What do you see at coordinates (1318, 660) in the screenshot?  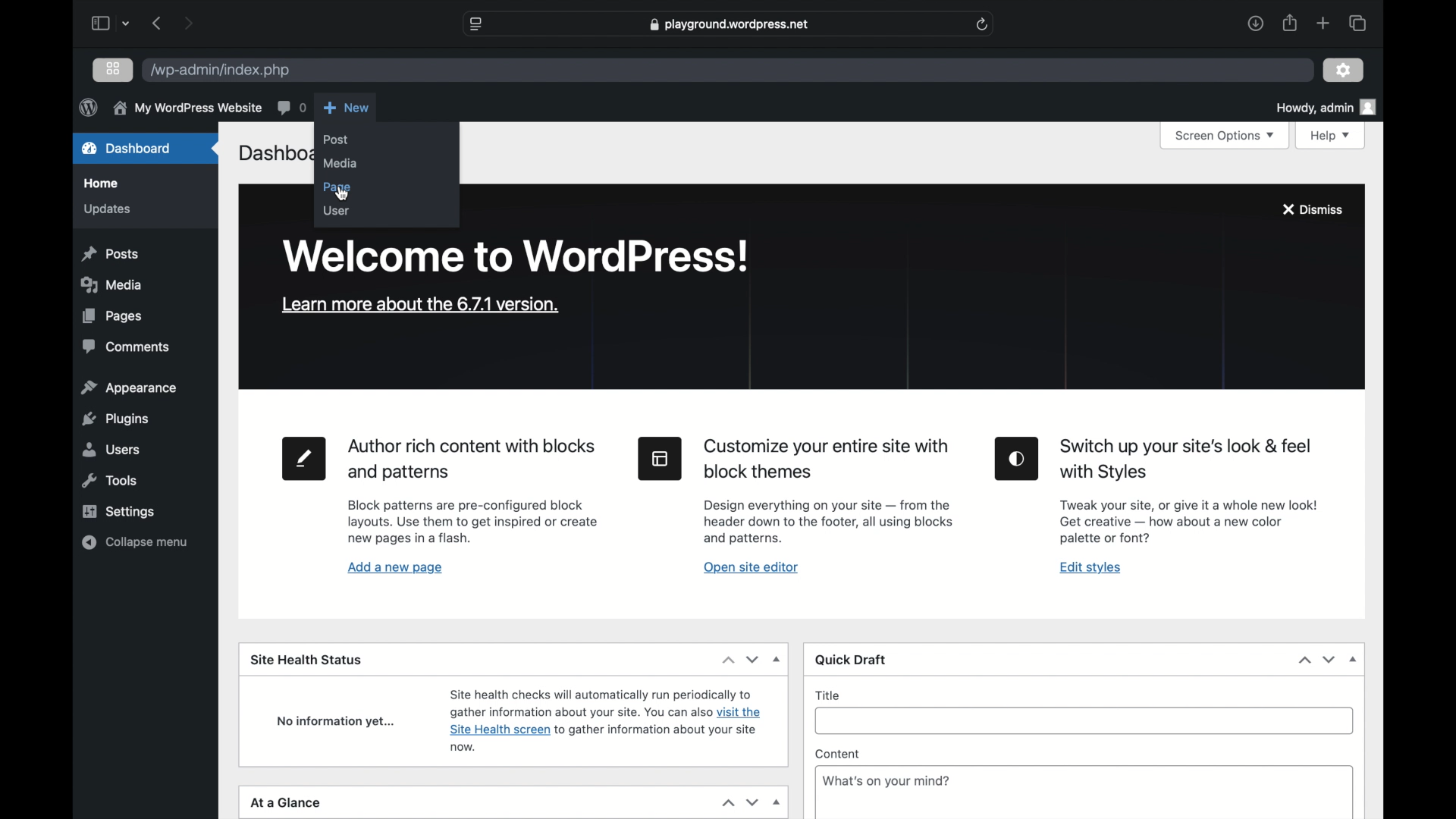 I see `stepper buttons` at bounding box center [1318, 660].